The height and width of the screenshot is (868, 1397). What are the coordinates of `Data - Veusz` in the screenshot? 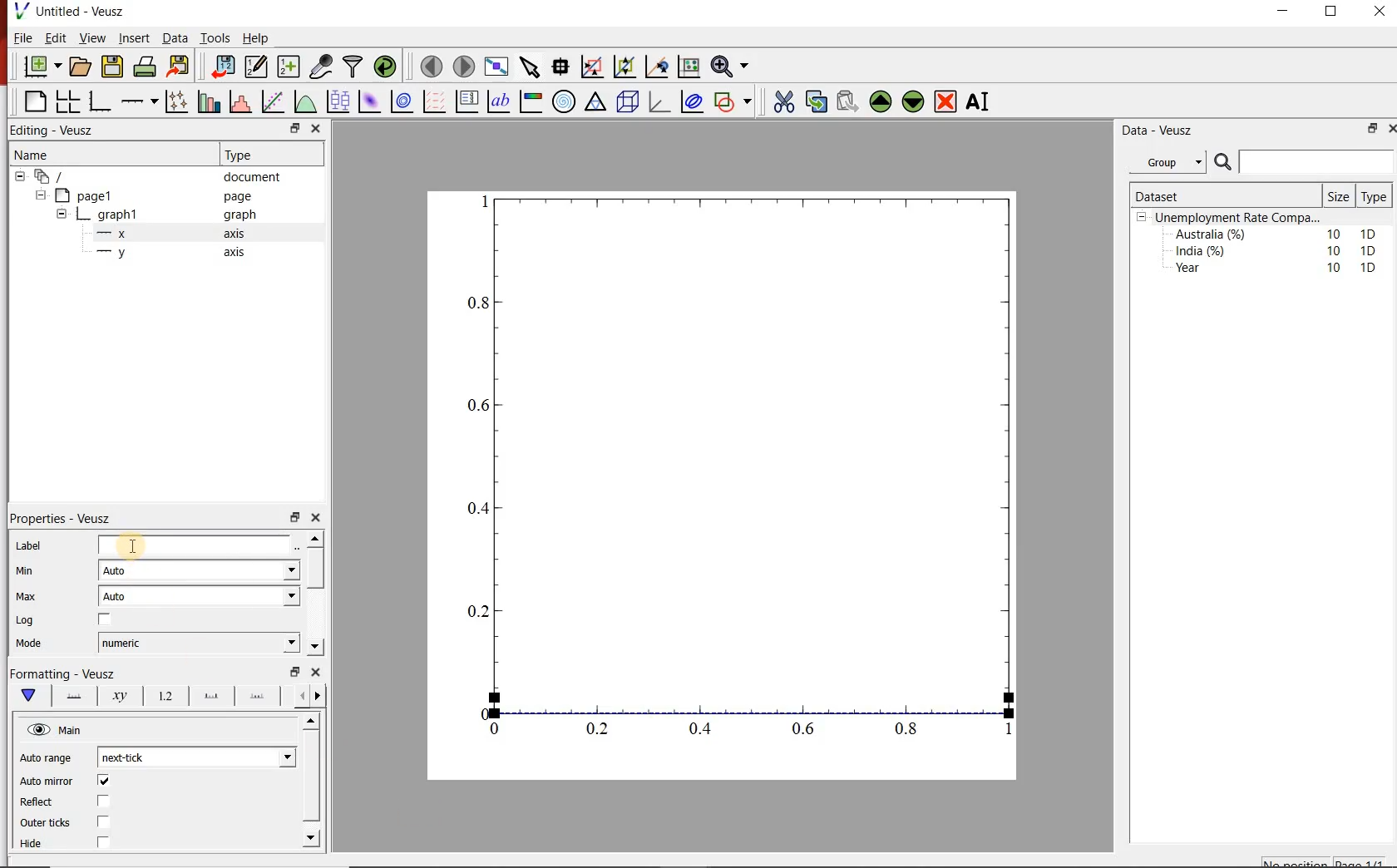 It's located at (1173, 131).